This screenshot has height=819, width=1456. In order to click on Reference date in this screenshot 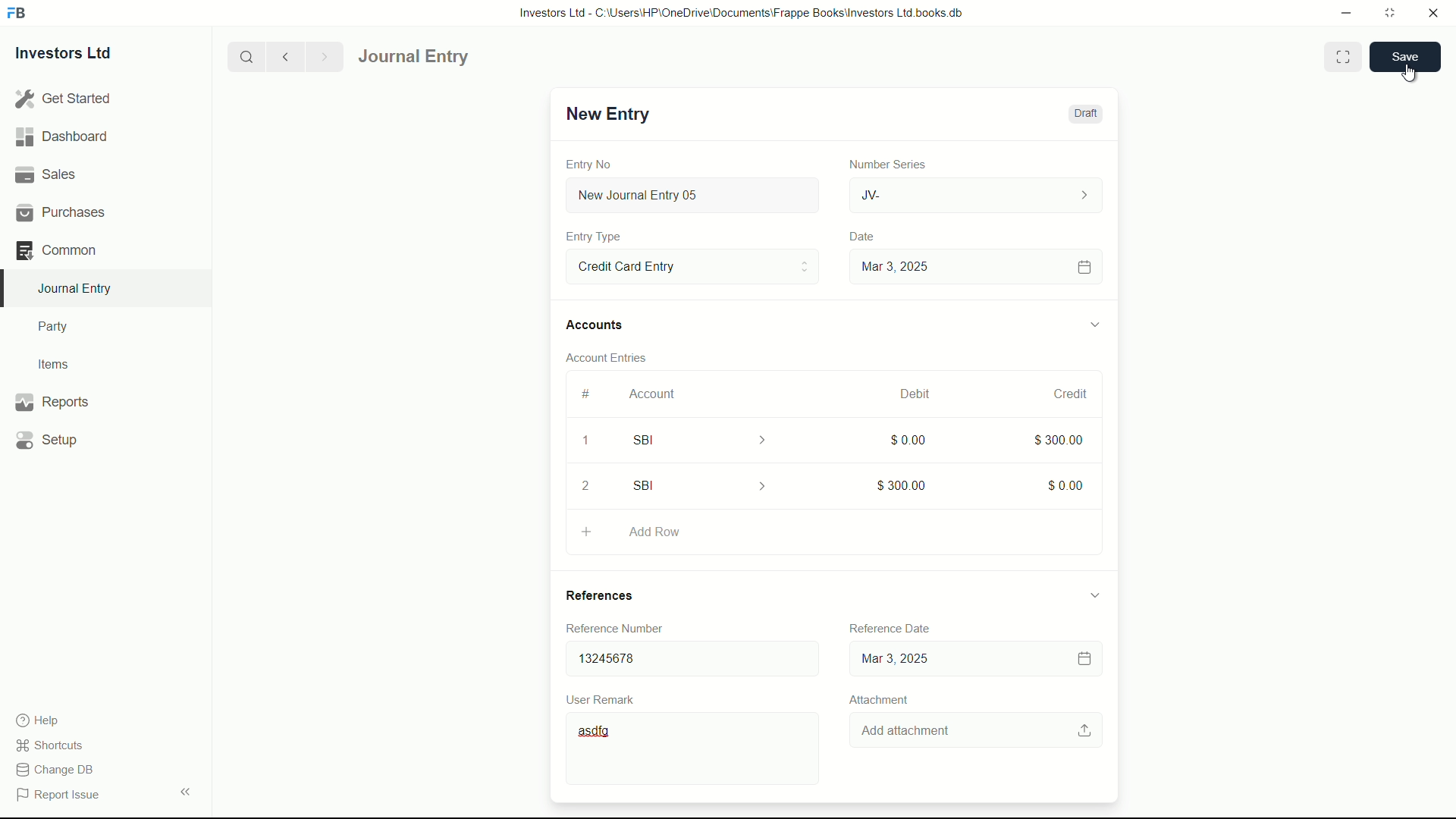, I will do `click(887, 626)`.